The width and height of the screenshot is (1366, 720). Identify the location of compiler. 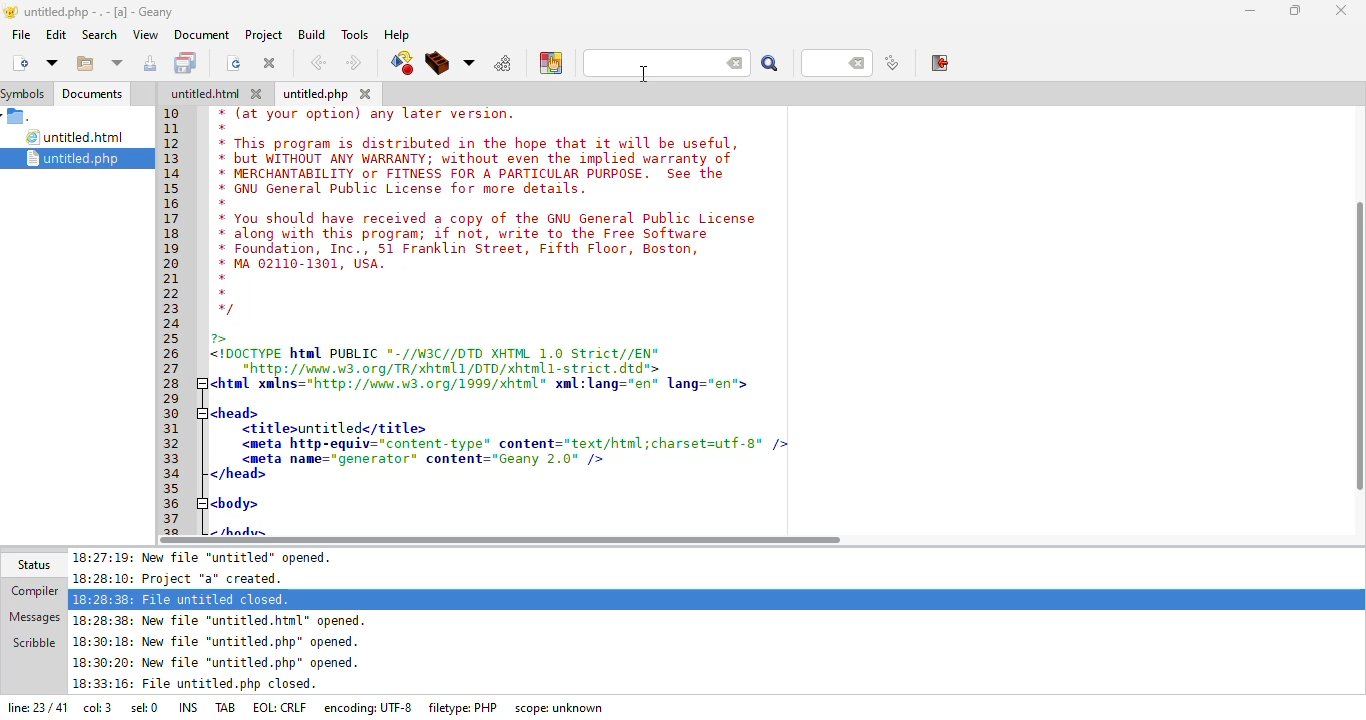
(30, 592).